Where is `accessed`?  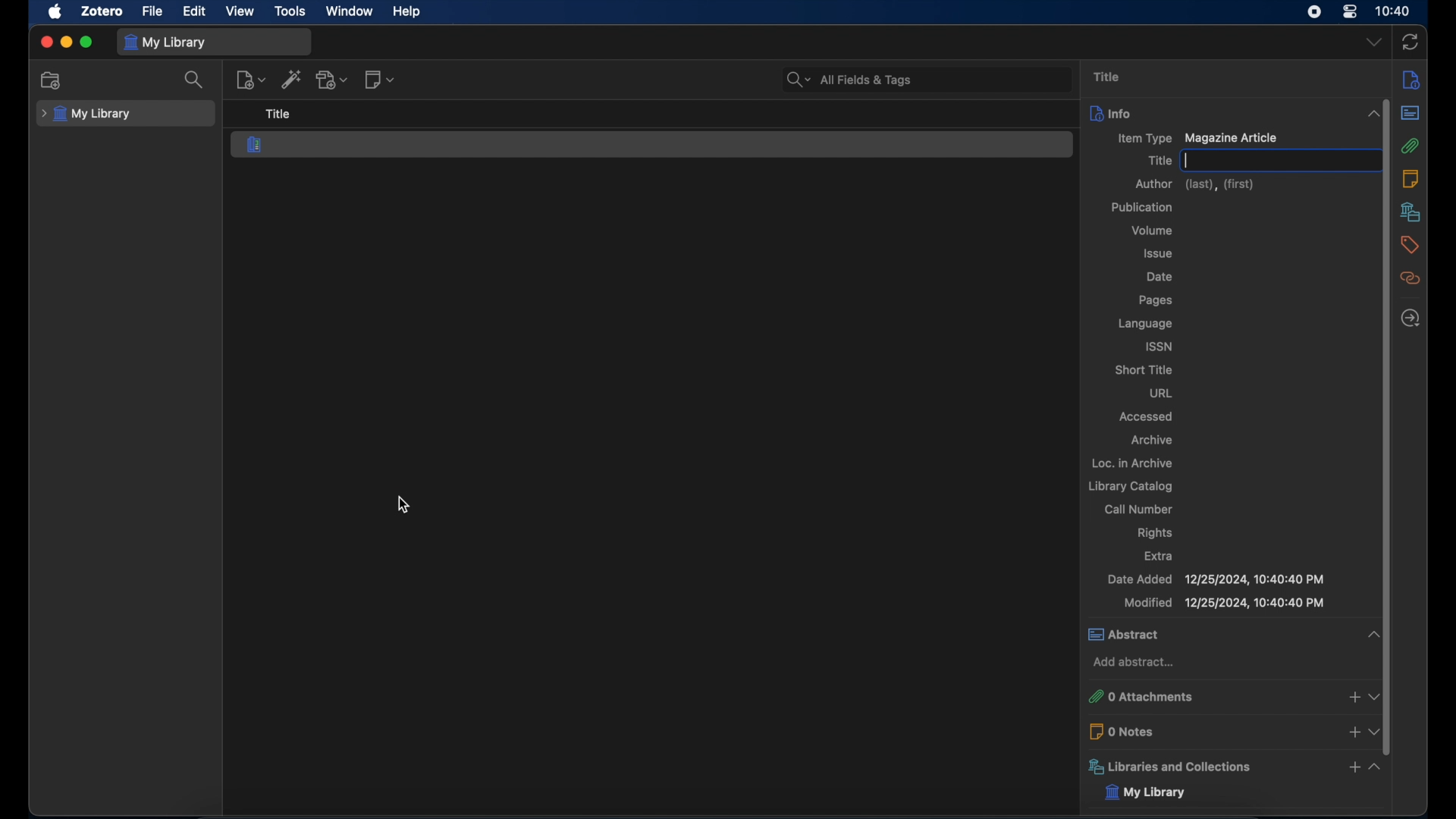
accessed is located at coordinates (1147, 416).